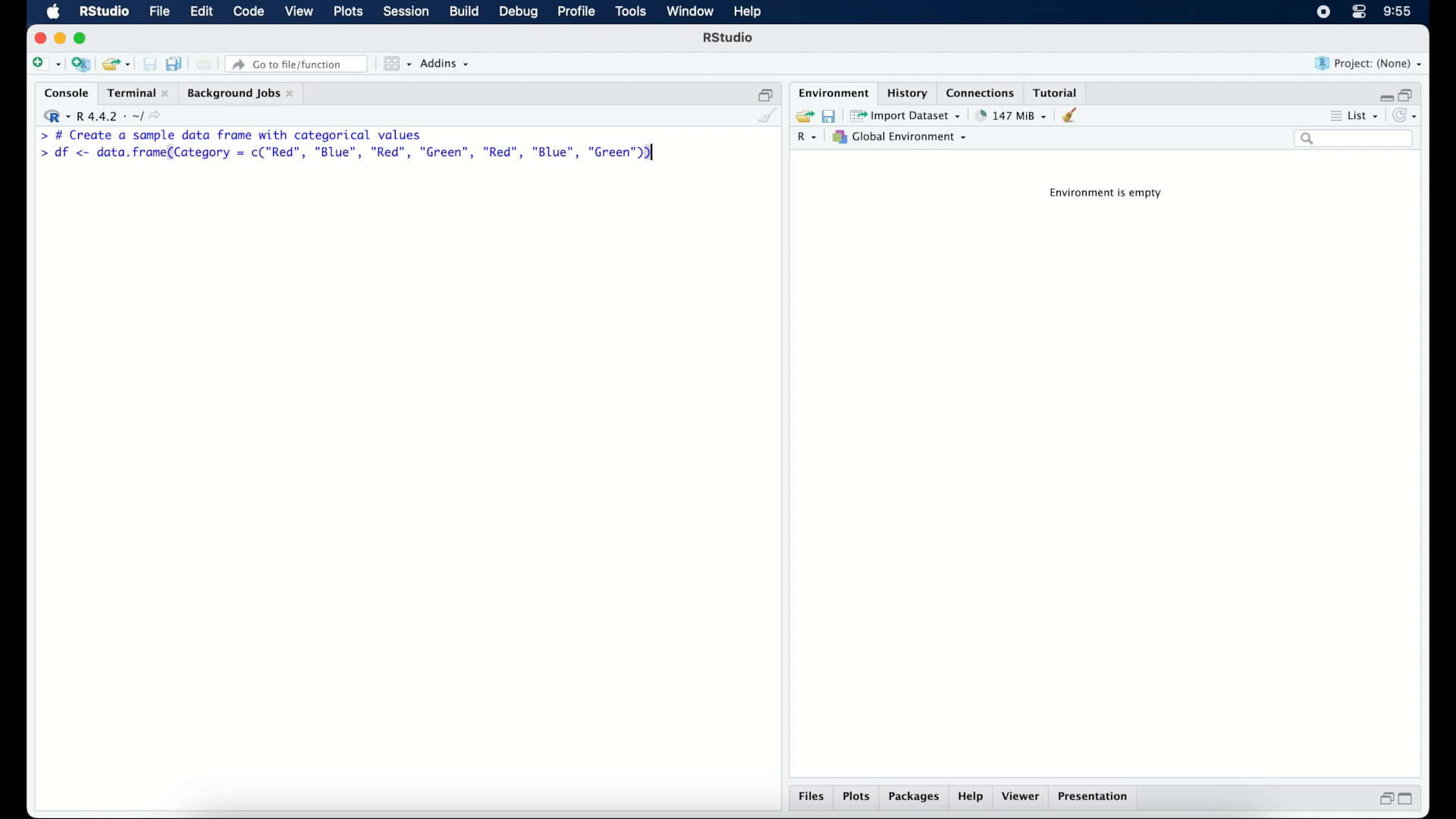 Image resolution: width=1456 pixels, height=819 pixels. Describe the element at coordinates (59, 38) in the screenshot. I see `minimzie` at that location.